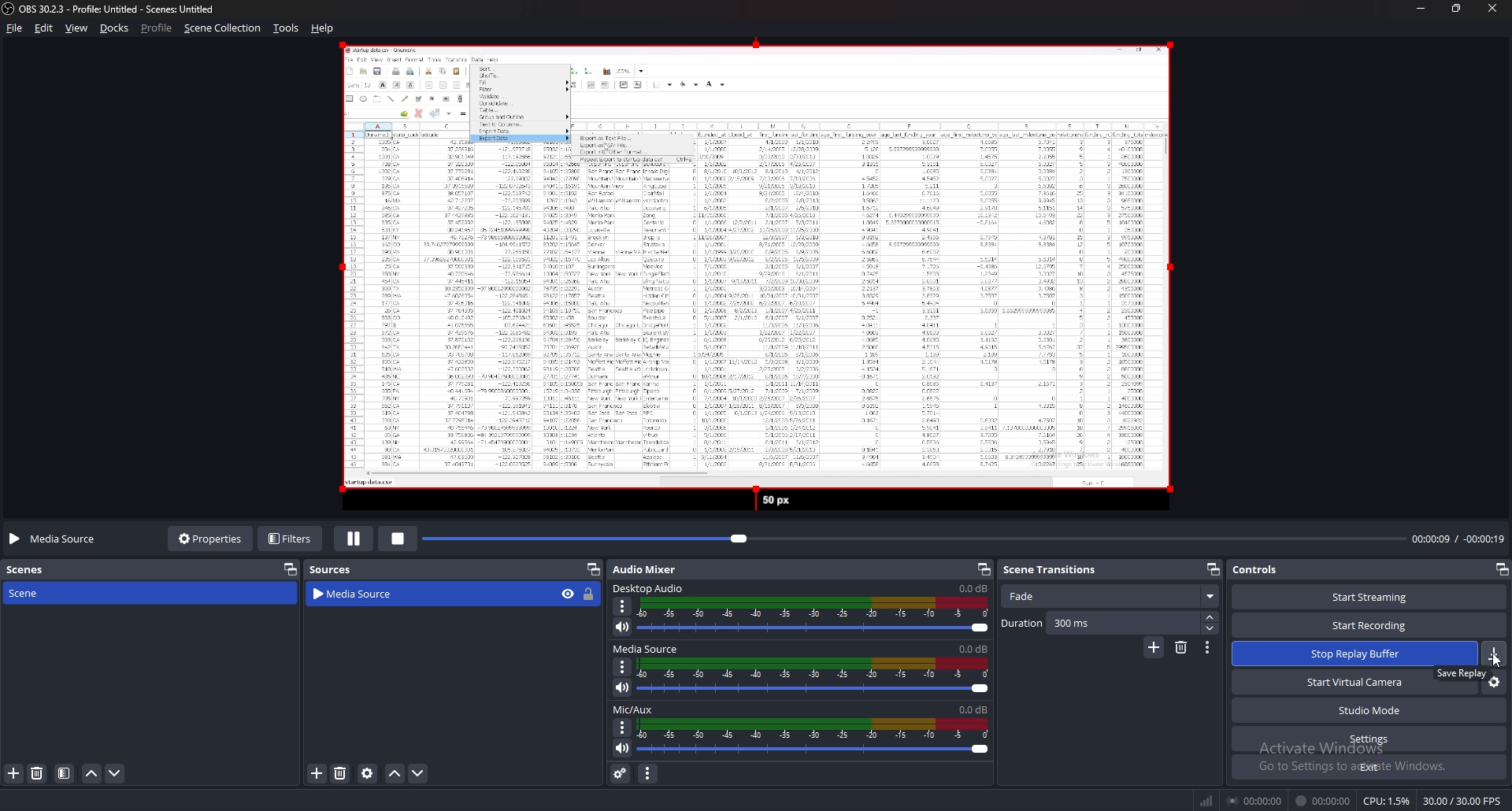 The width and height of the screenshot is (1512, 811). What do you see at coordinates (285, 28) in the screenshot?
I see `tools` at bounding box center [285, 28].